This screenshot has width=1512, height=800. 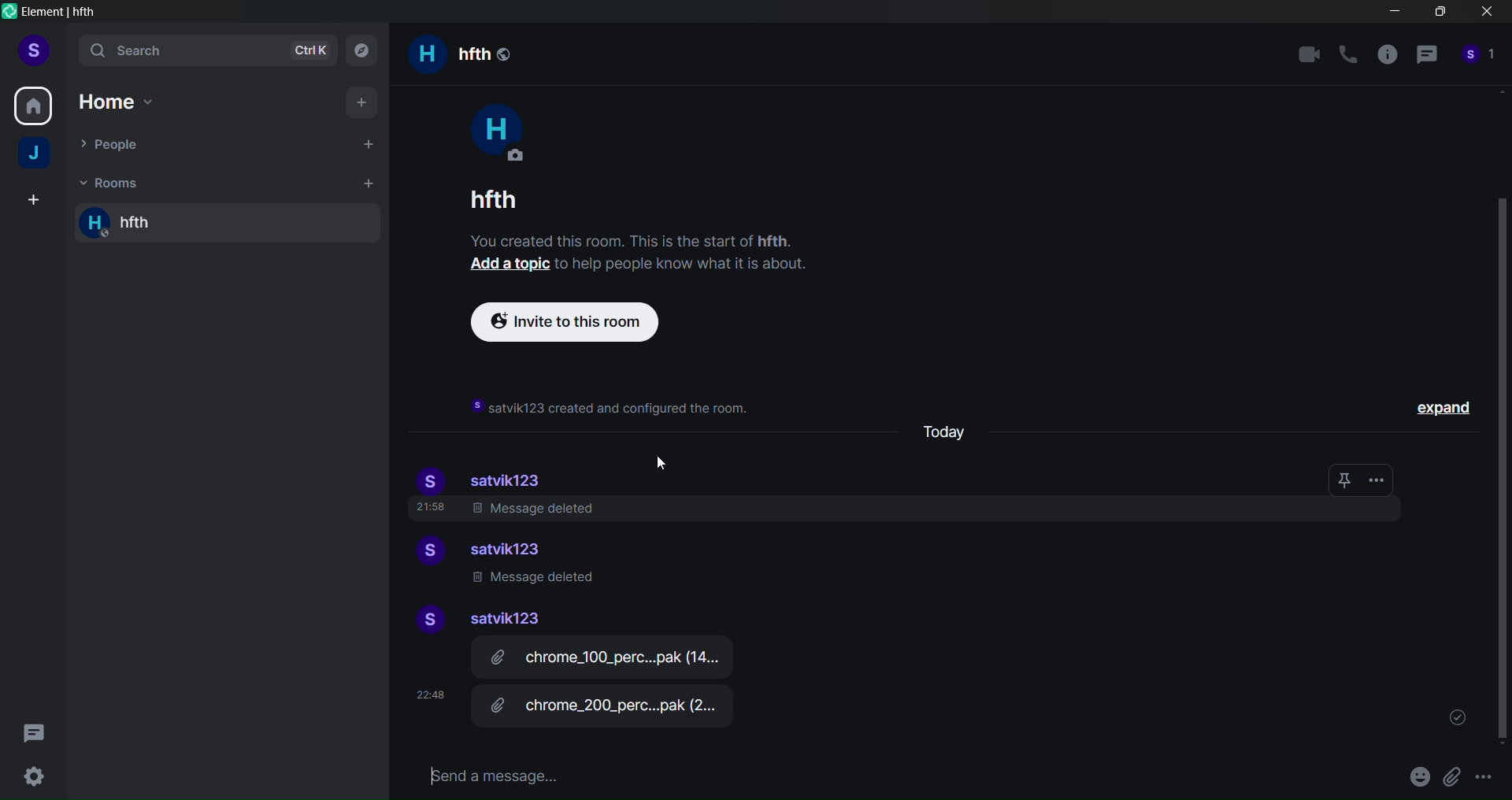 I want to click on add, so click(x=364, y=102).